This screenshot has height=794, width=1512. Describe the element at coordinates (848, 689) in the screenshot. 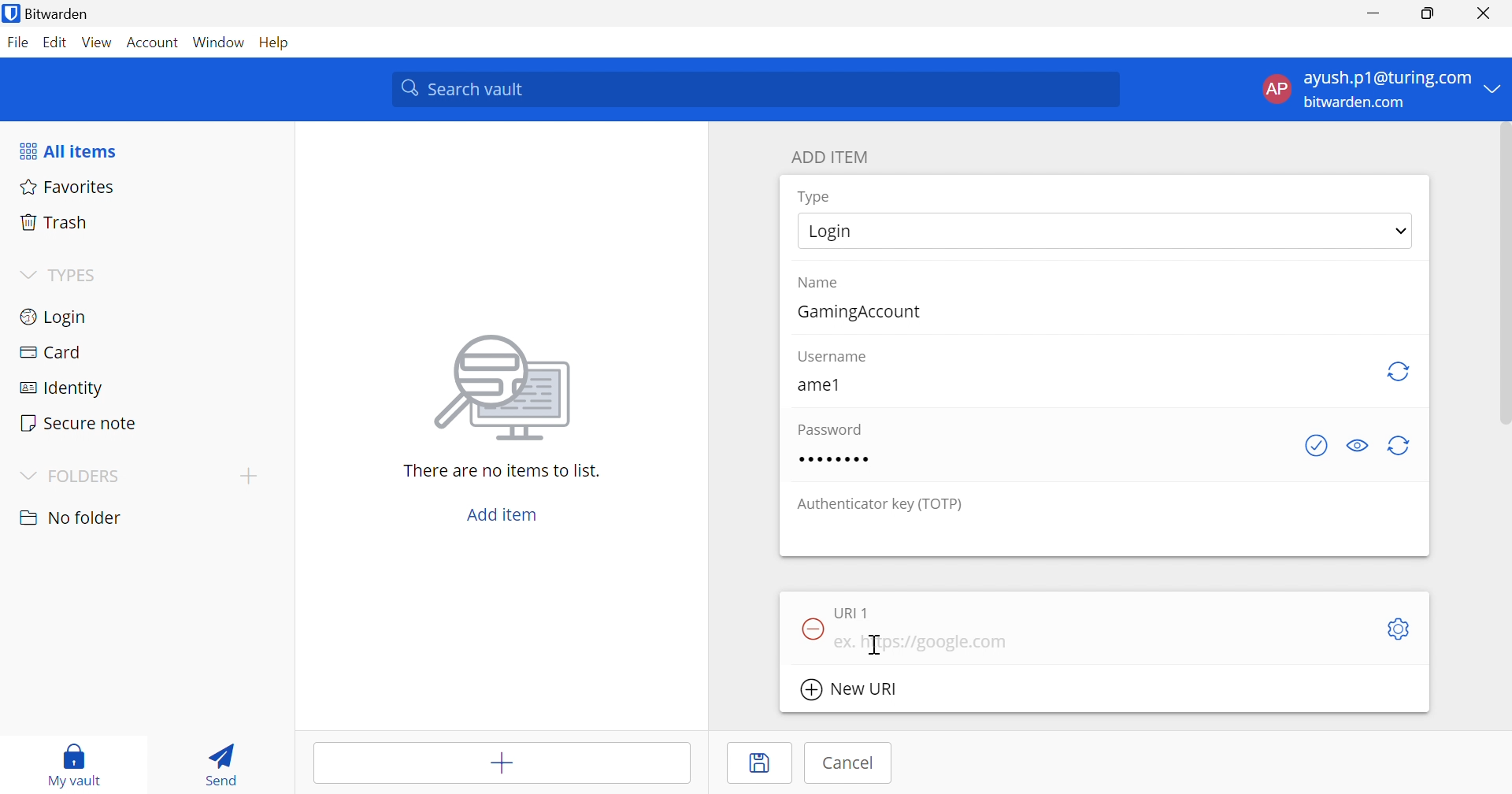

I see `New URI` at that location.